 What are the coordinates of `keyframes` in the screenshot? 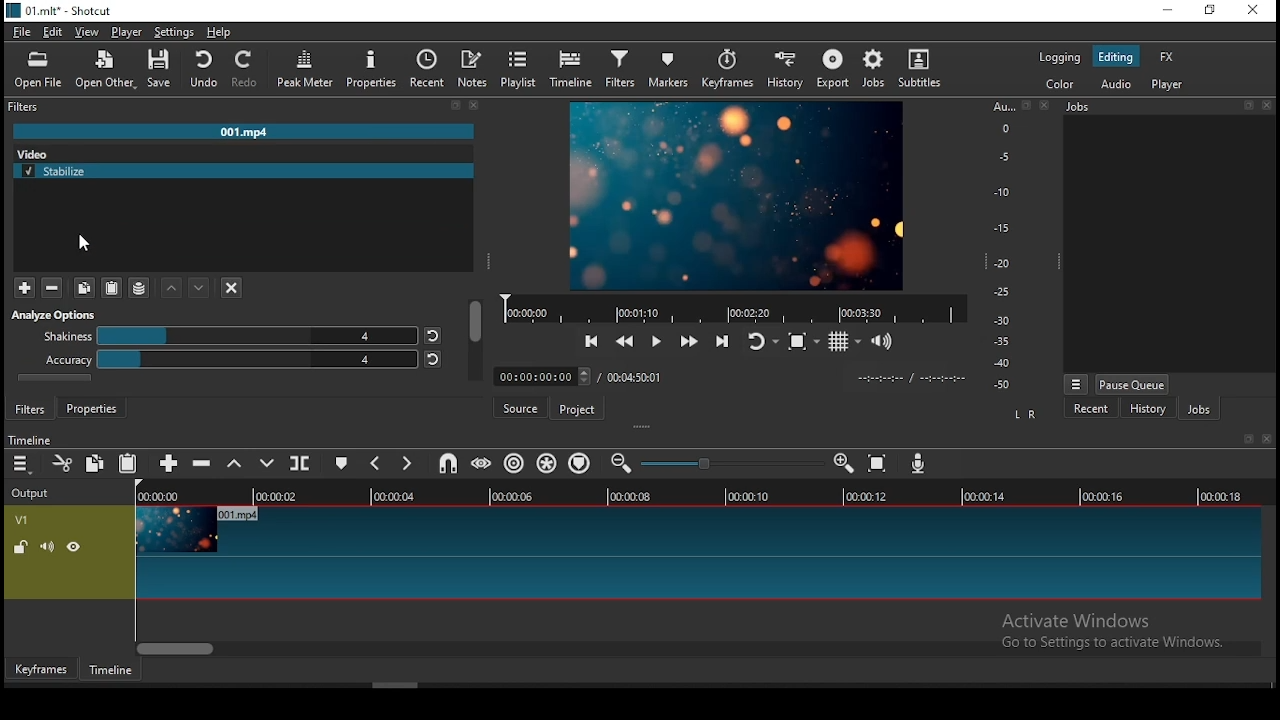 It's located at (39, 668).